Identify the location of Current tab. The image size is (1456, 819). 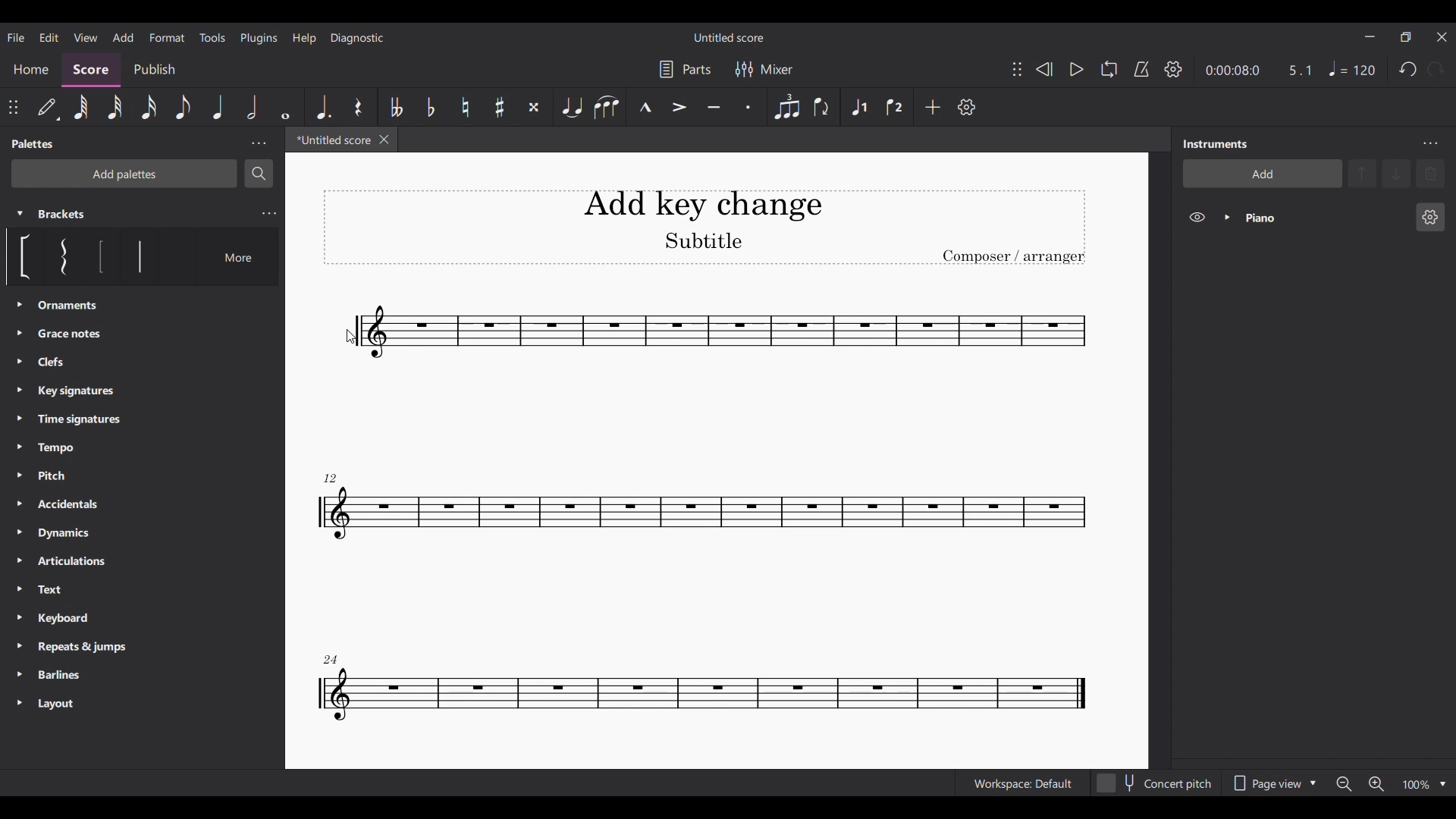
(331, 140).